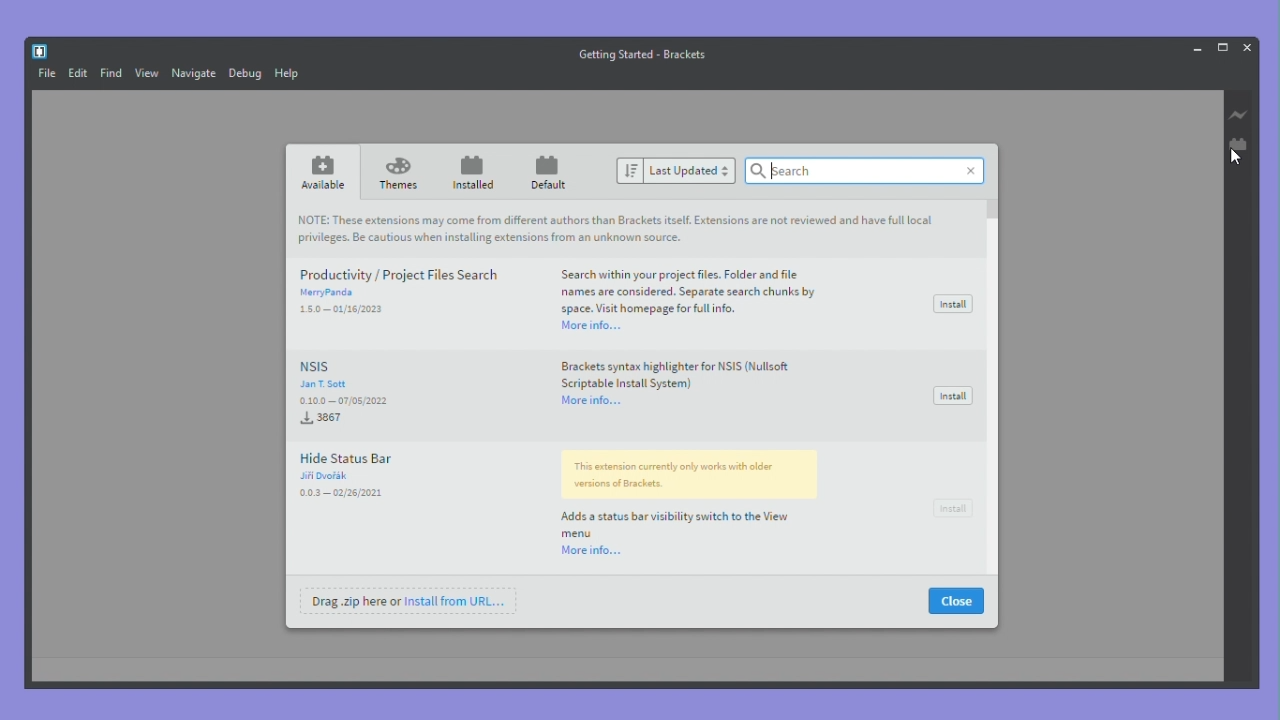 The height and width of the screenshot is (720, 1280). Describe the element at coordinates (464, 601) in the screenshot. I see `Install from URL...` at that location.